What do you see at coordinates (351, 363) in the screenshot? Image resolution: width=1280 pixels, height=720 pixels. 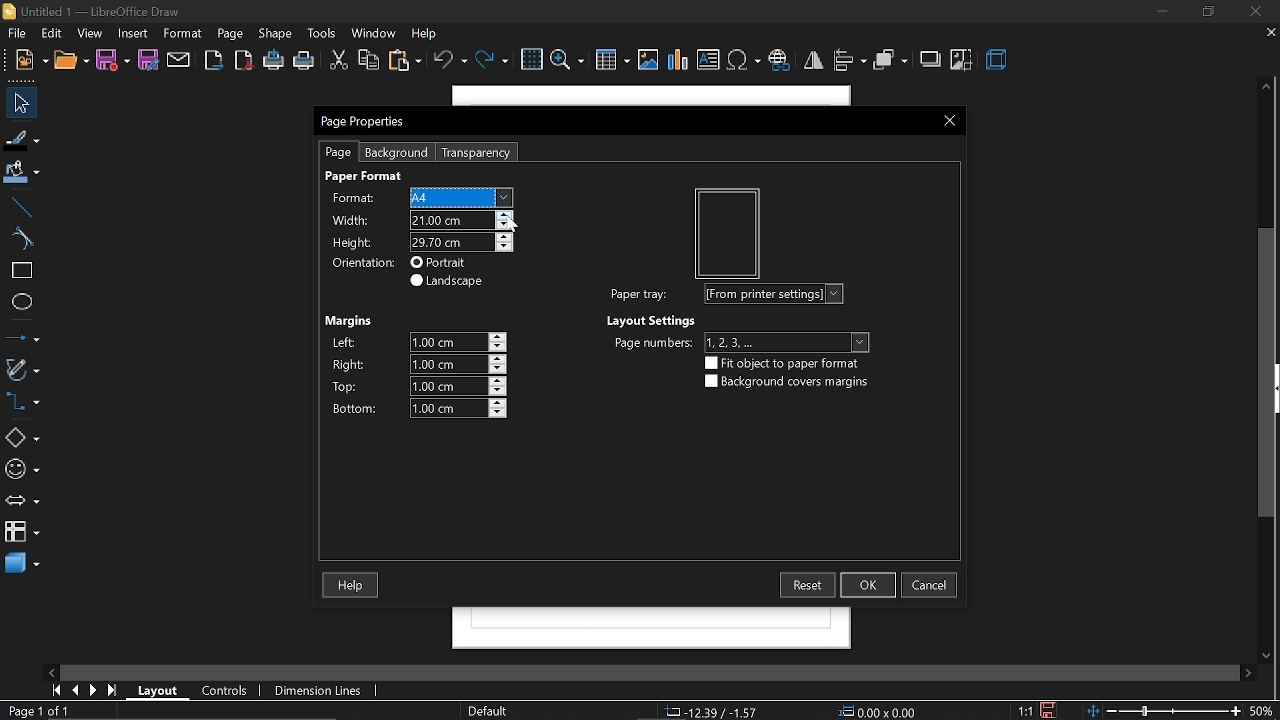 I see `right margins` at bounding box center [351, 363].